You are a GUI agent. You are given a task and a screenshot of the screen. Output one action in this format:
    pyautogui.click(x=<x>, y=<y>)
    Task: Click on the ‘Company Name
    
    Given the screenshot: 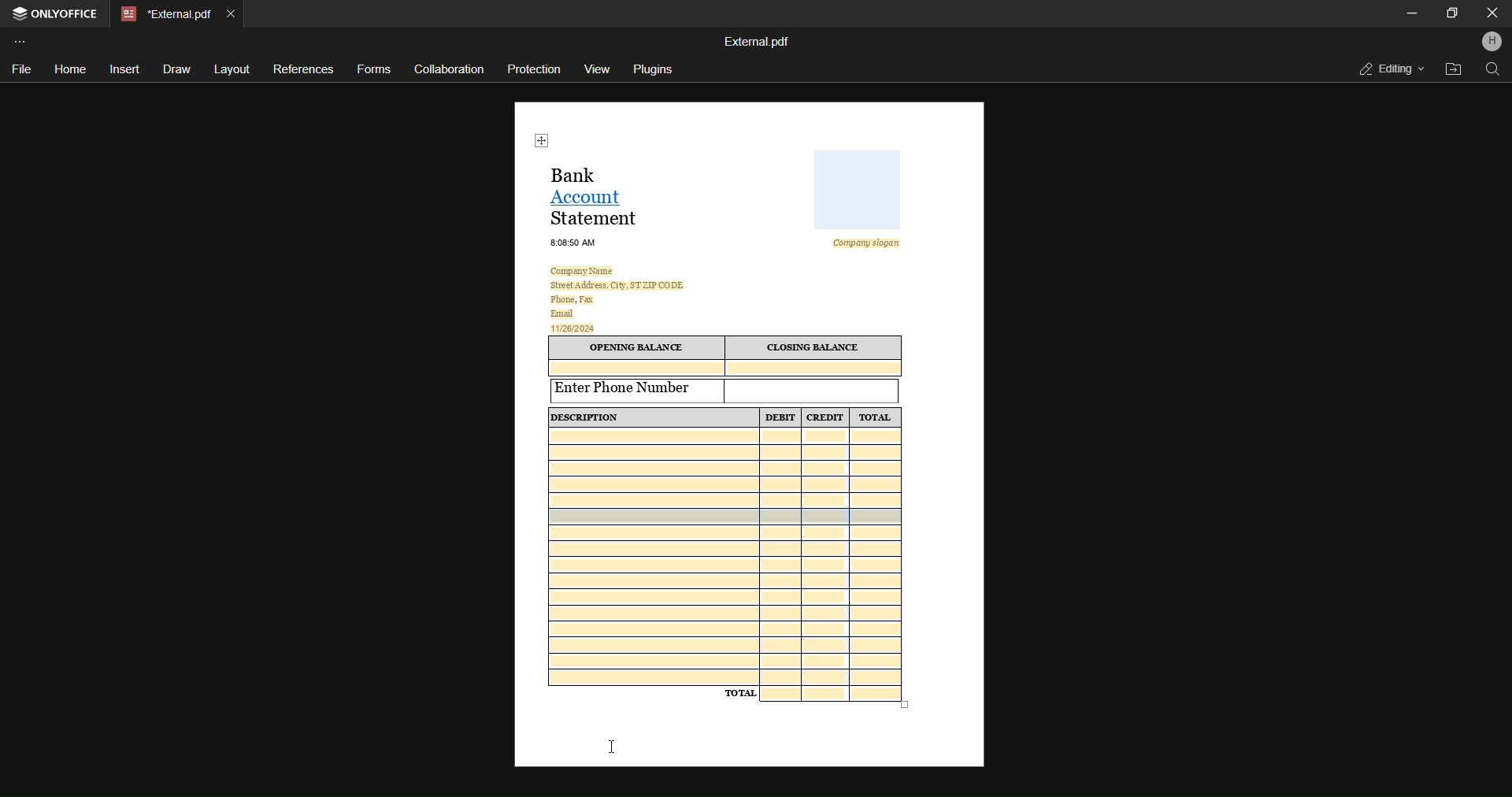 What is the action you would take?
    pyautogui.click(x=585, y=270)
    